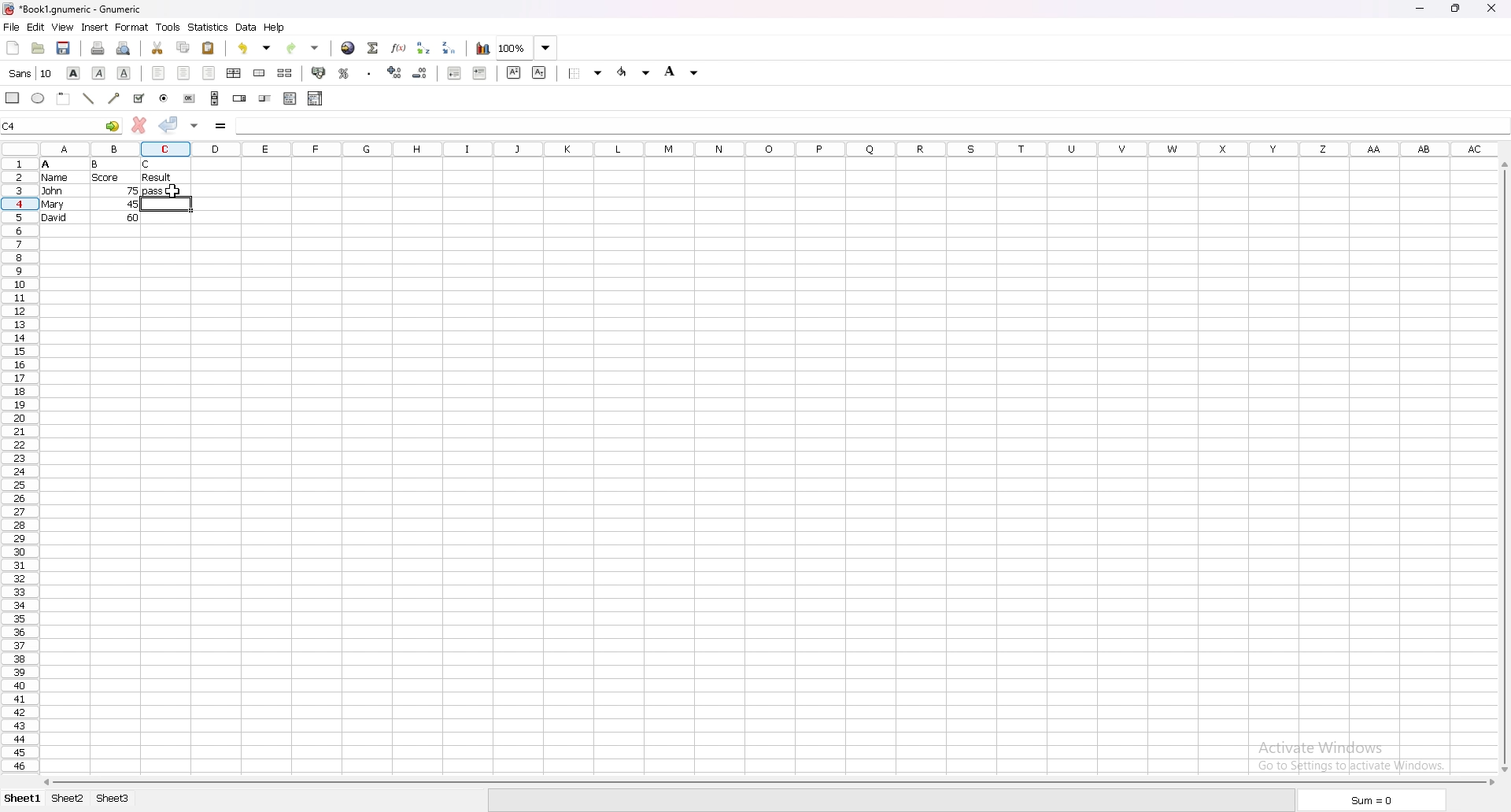 Image resolution: width=1511 pixels, height=812 pixels. I want to click on italic, so click(101, 73).